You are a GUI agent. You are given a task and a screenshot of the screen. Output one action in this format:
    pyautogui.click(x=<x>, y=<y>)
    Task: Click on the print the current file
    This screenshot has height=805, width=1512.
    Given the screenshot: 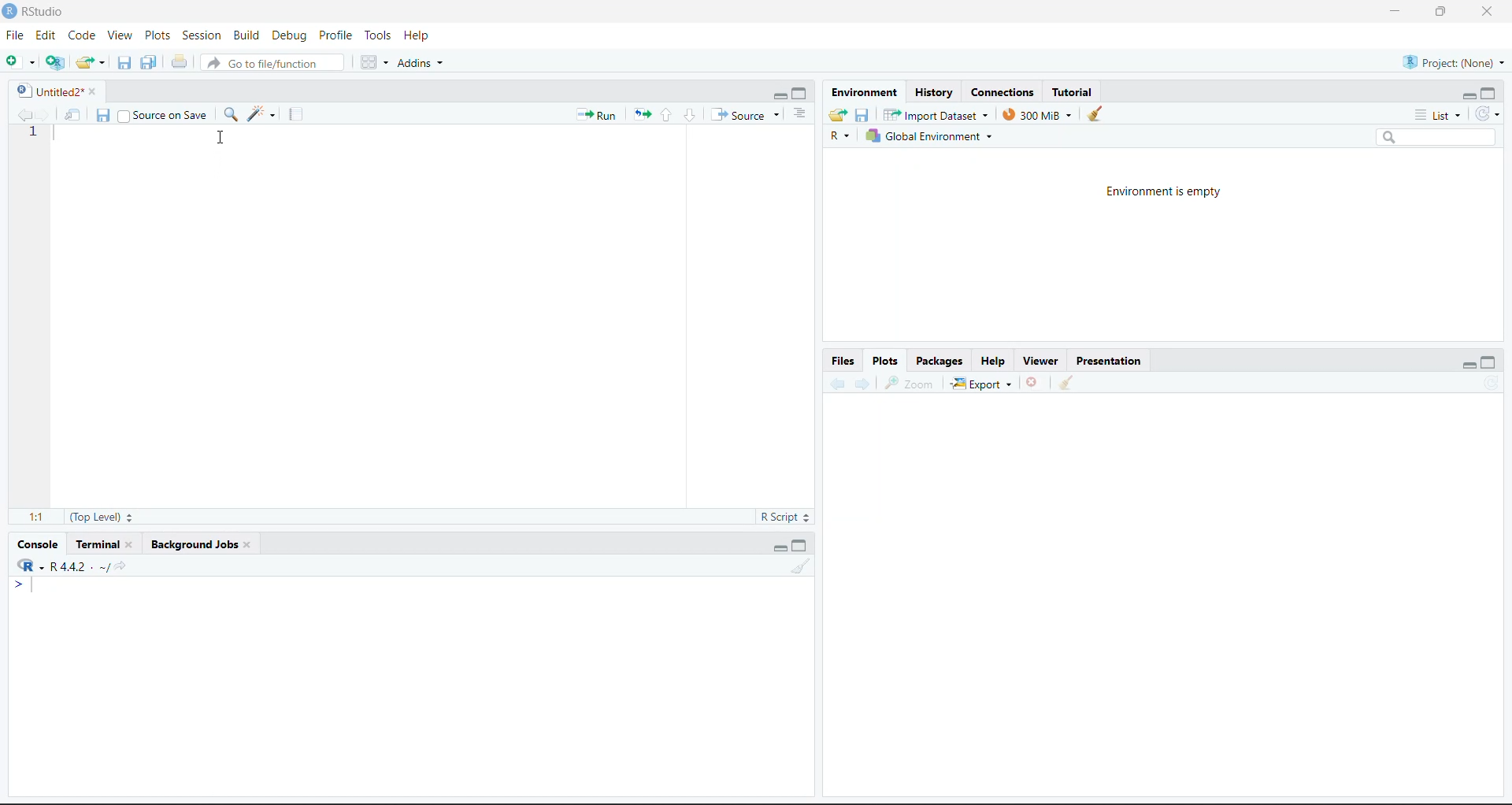 What is the action you would take?
    pyautogui.click(x=176, y=62)
    